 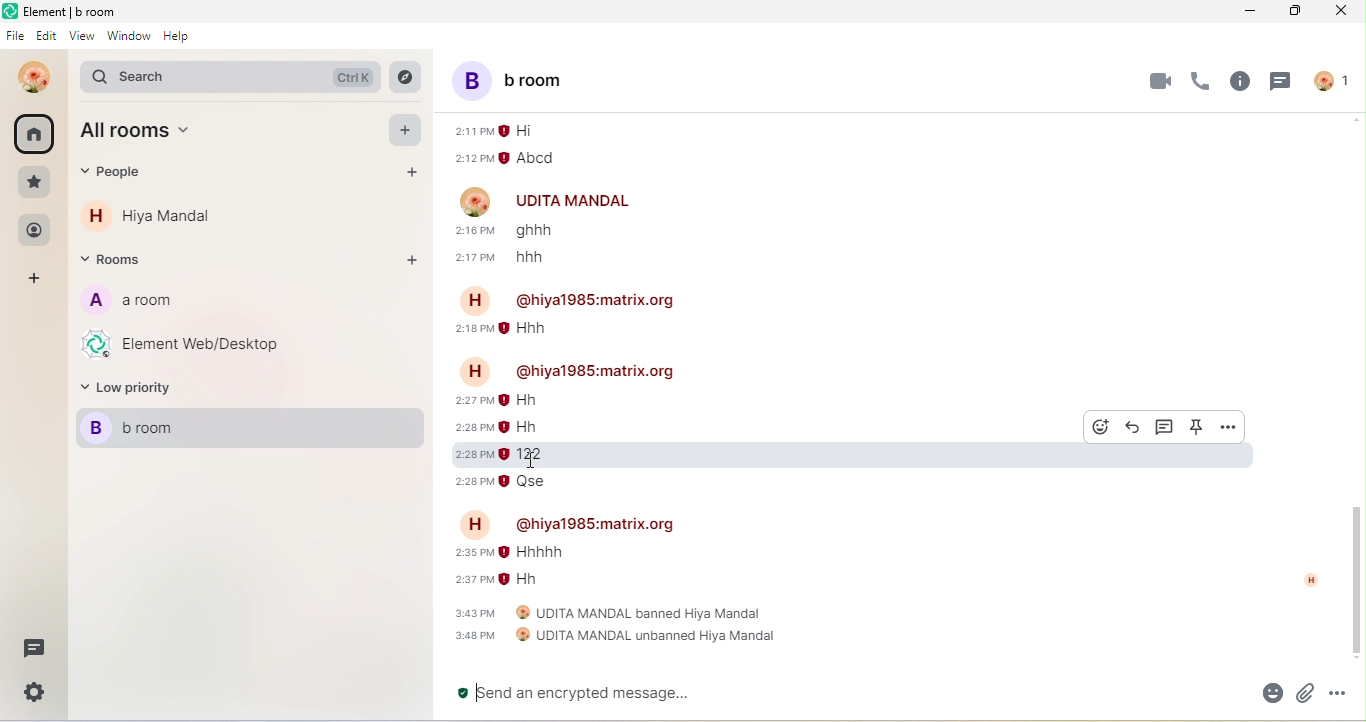 I want to click on file, so click(x=14, y=38).